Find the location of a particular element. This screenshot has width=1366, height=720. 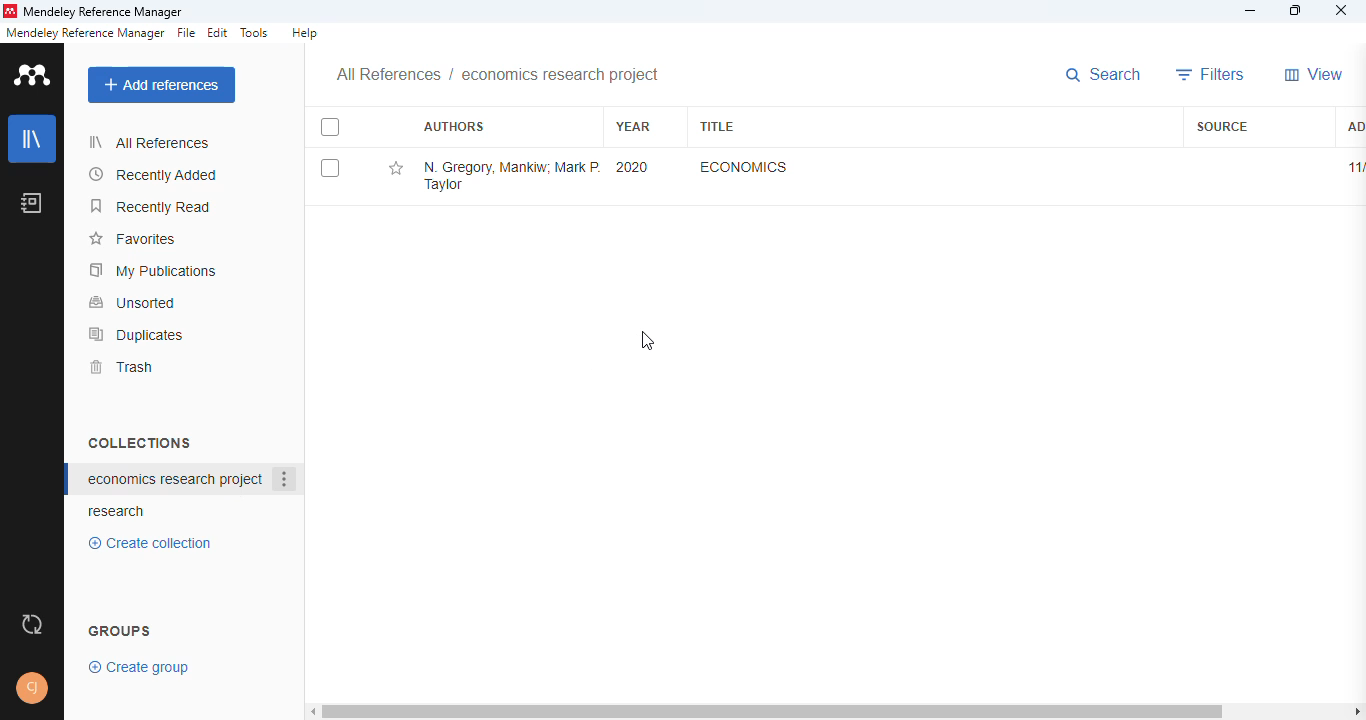

all references is located at coordinates (149, 142).